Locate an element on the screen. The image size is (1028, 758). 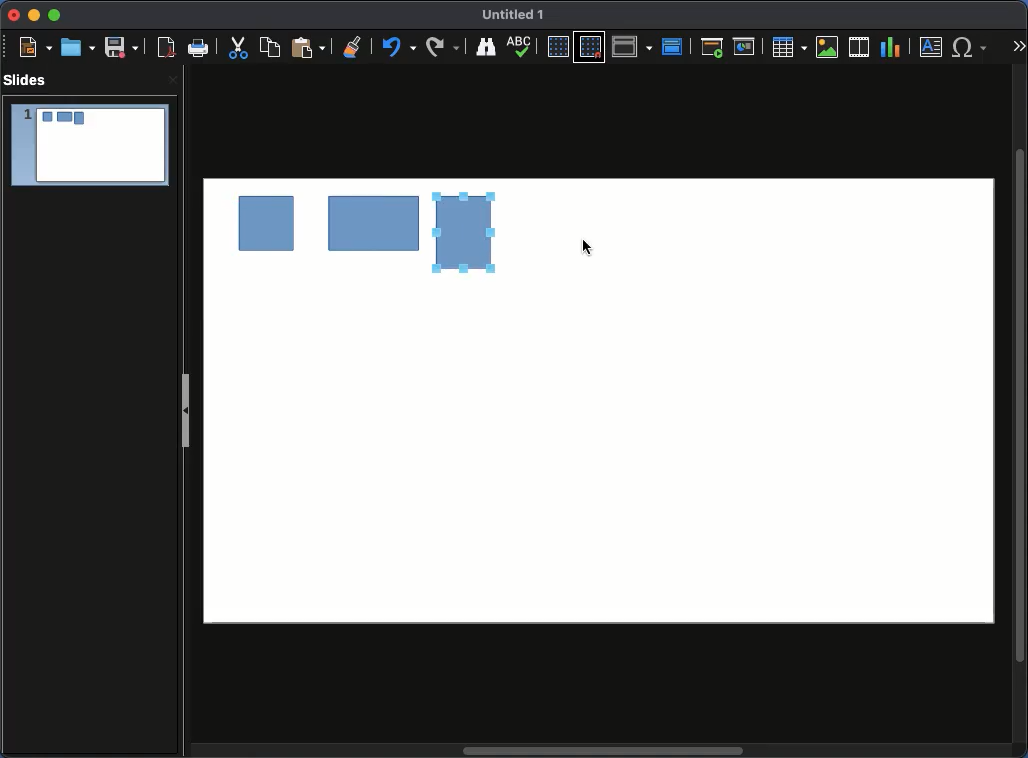
Undo is located at coordinates (352, 43).